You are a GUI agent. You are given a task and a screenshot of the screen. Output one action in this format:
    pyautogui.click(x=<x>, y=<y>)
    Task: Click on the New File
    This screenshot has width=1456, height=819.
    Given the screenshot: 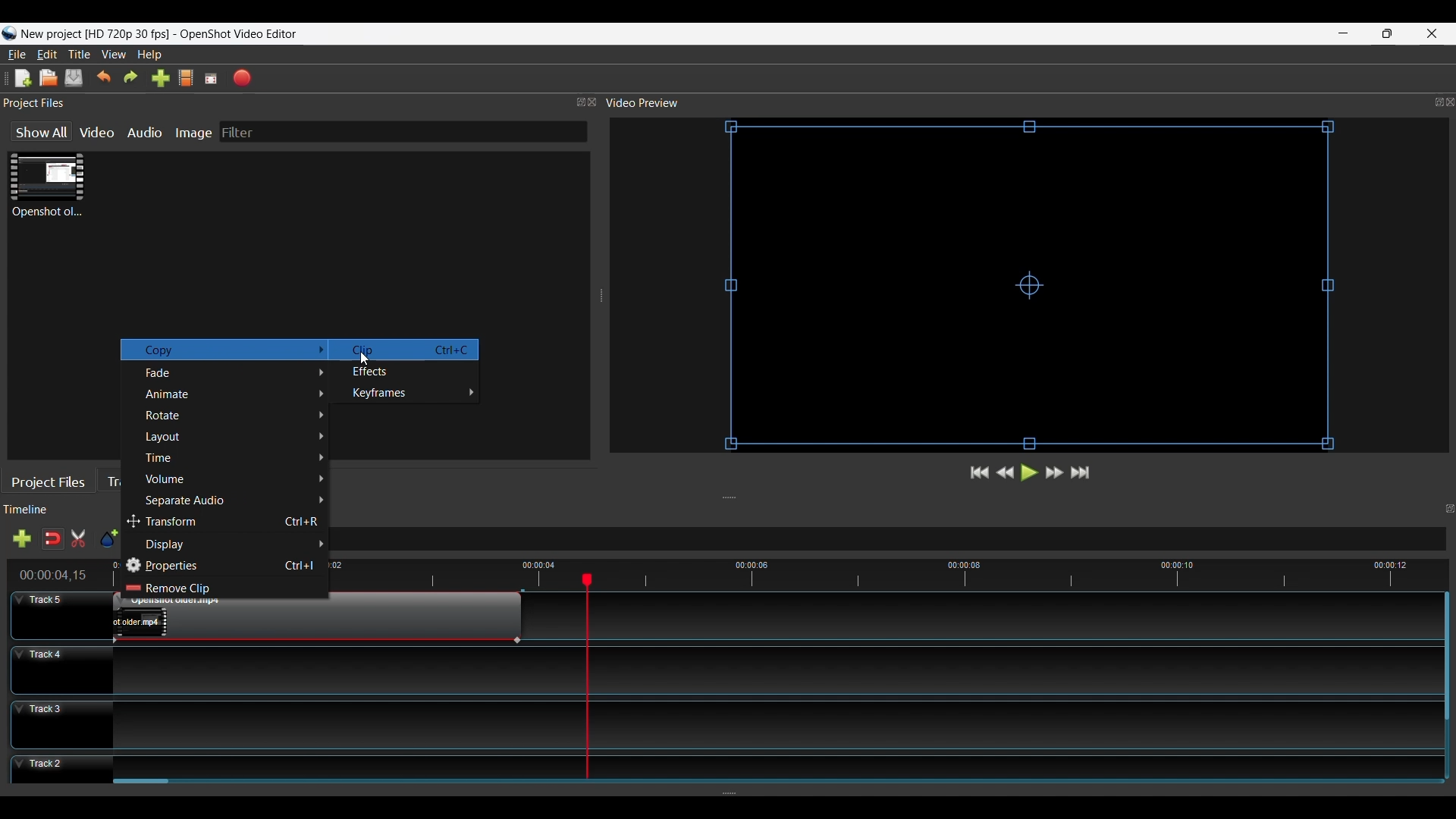 What is the action you would take?
    pyautogui.click(x=20, y=77)
    